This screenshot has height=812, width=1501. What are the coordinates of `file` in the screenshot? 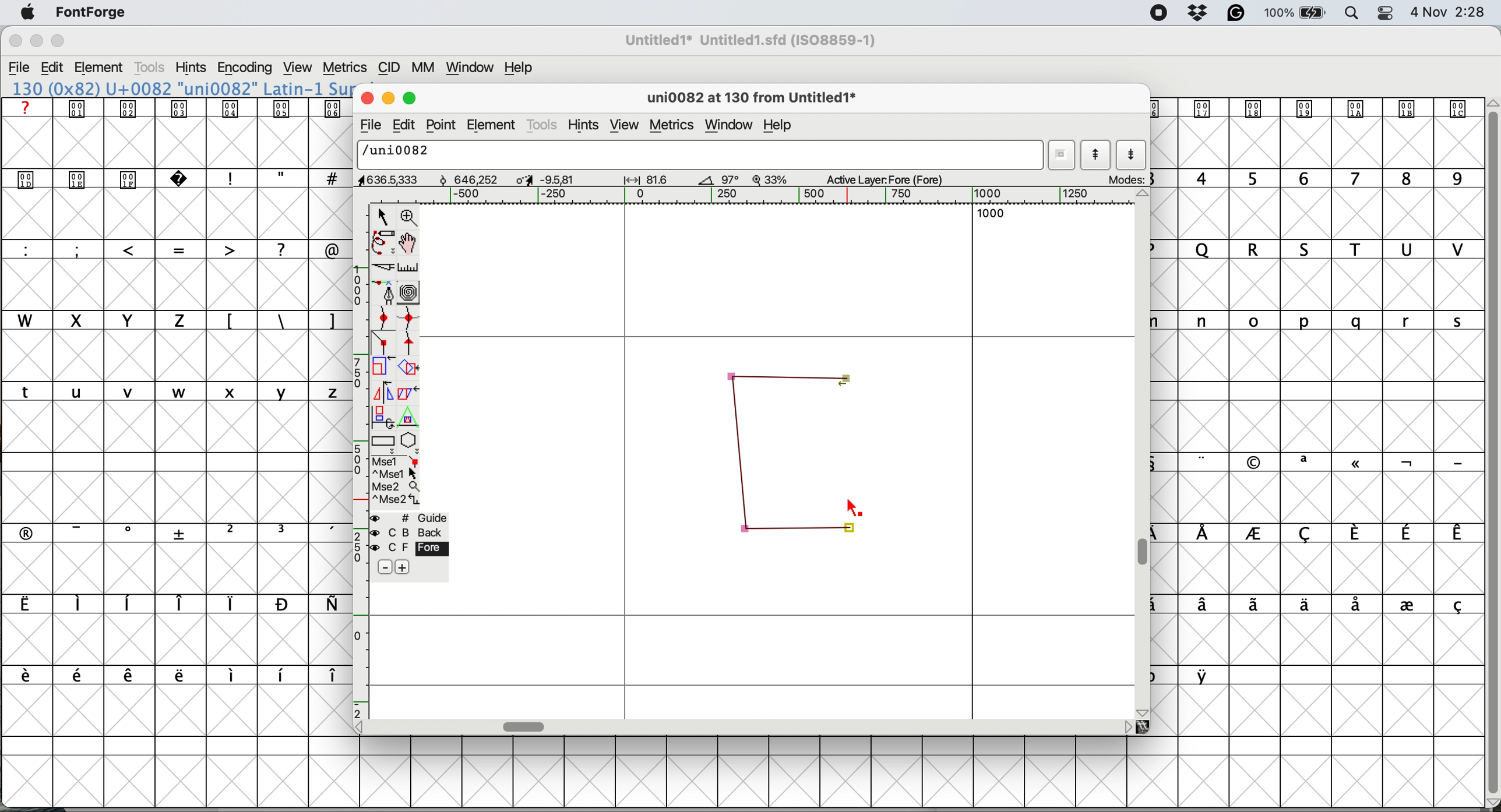 It's located at (369, 125).